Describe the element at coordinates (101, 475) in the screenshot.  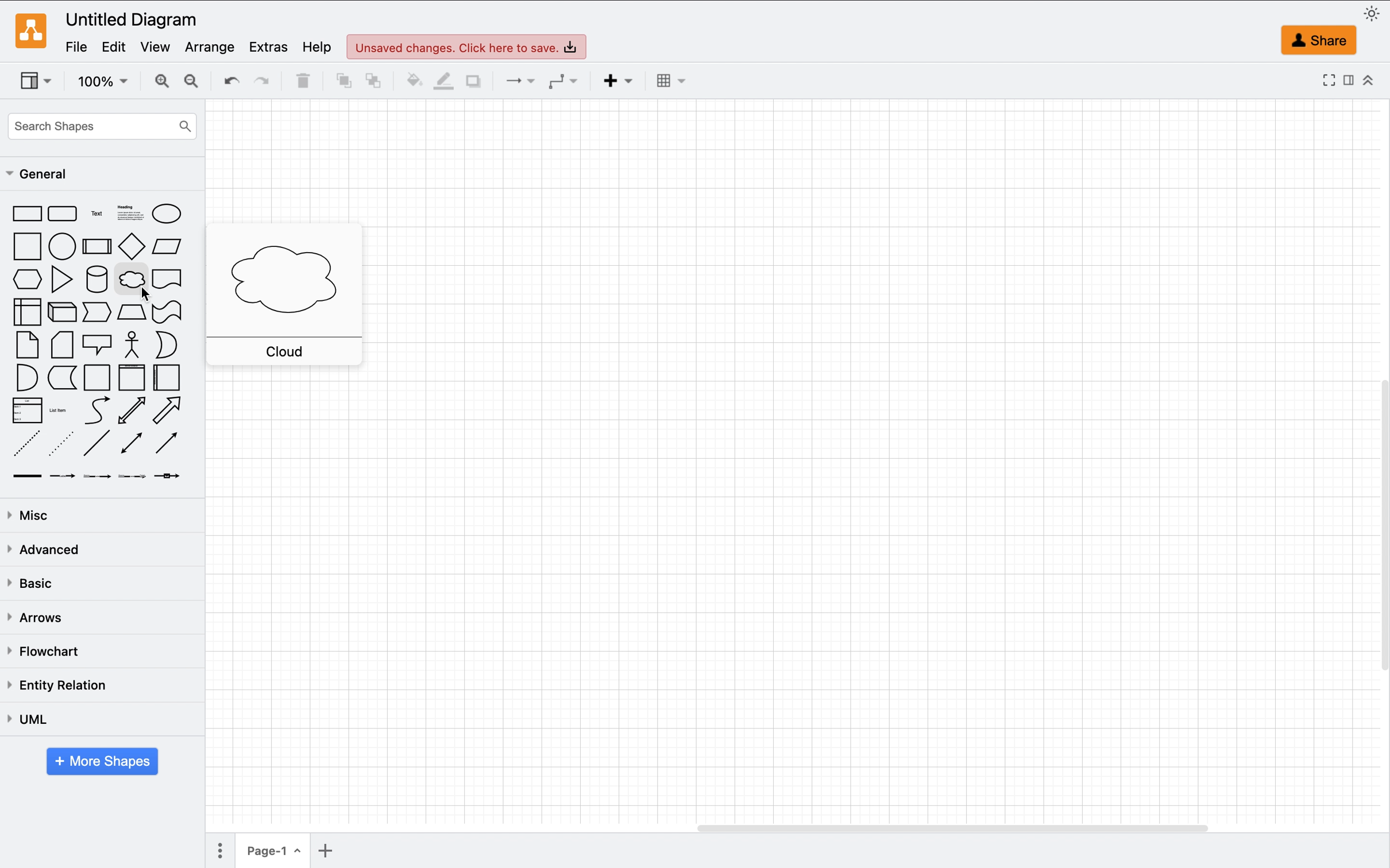
I see `connector with two labels` at that location.